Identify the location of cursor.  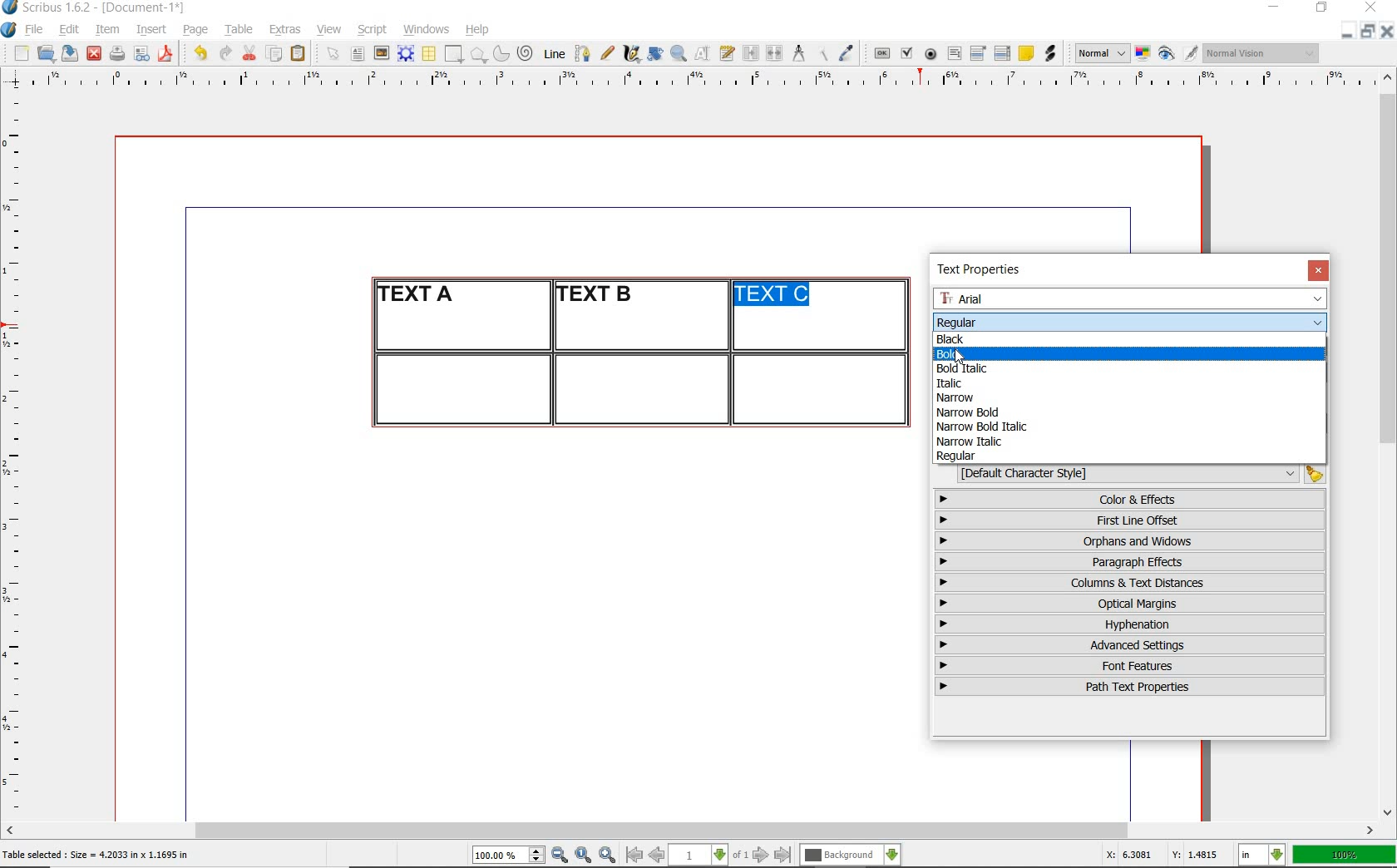
(960, 358).